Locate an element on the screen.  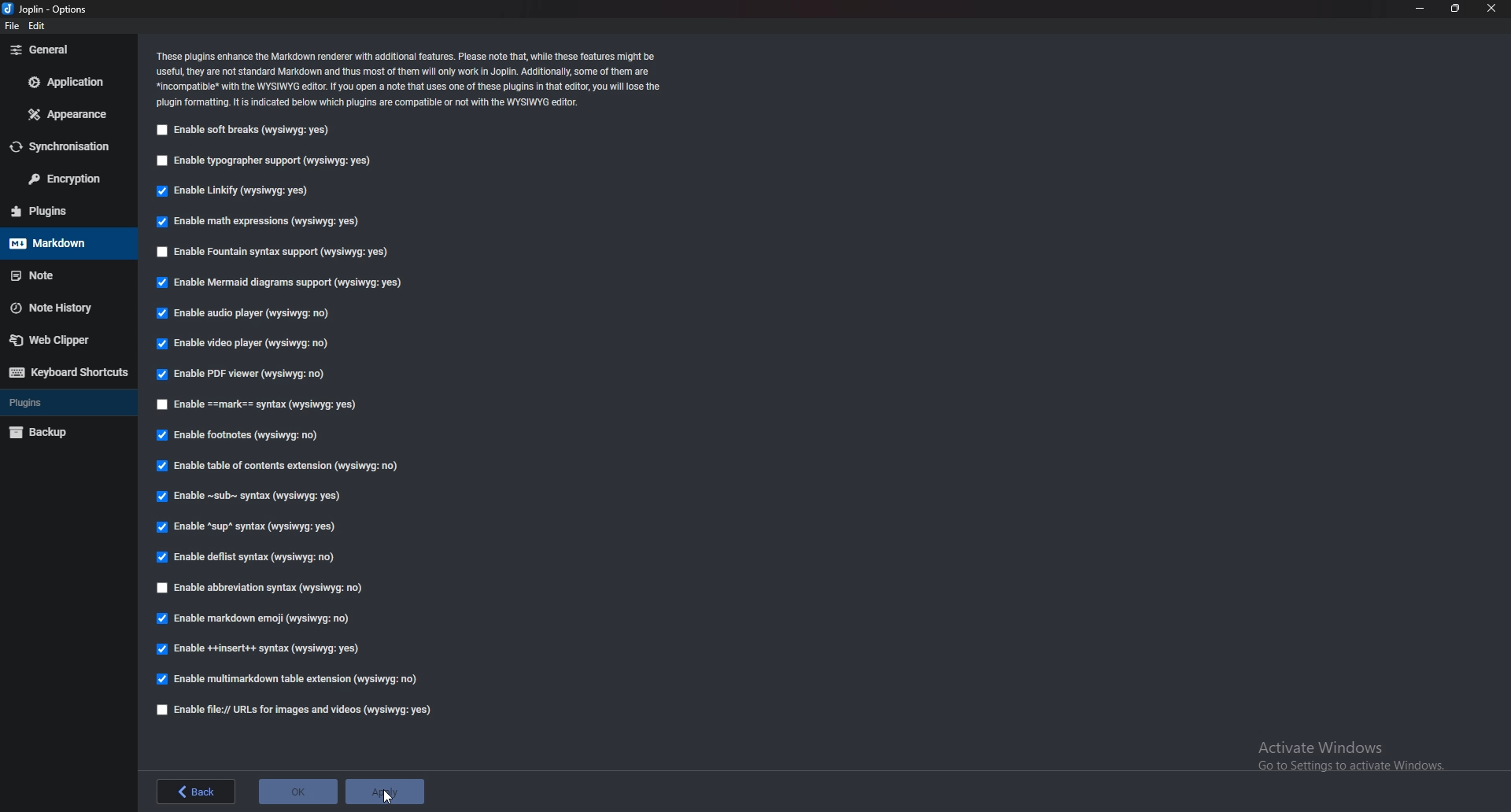
enable Markdown Emoji is located at coordinates (256, 619).